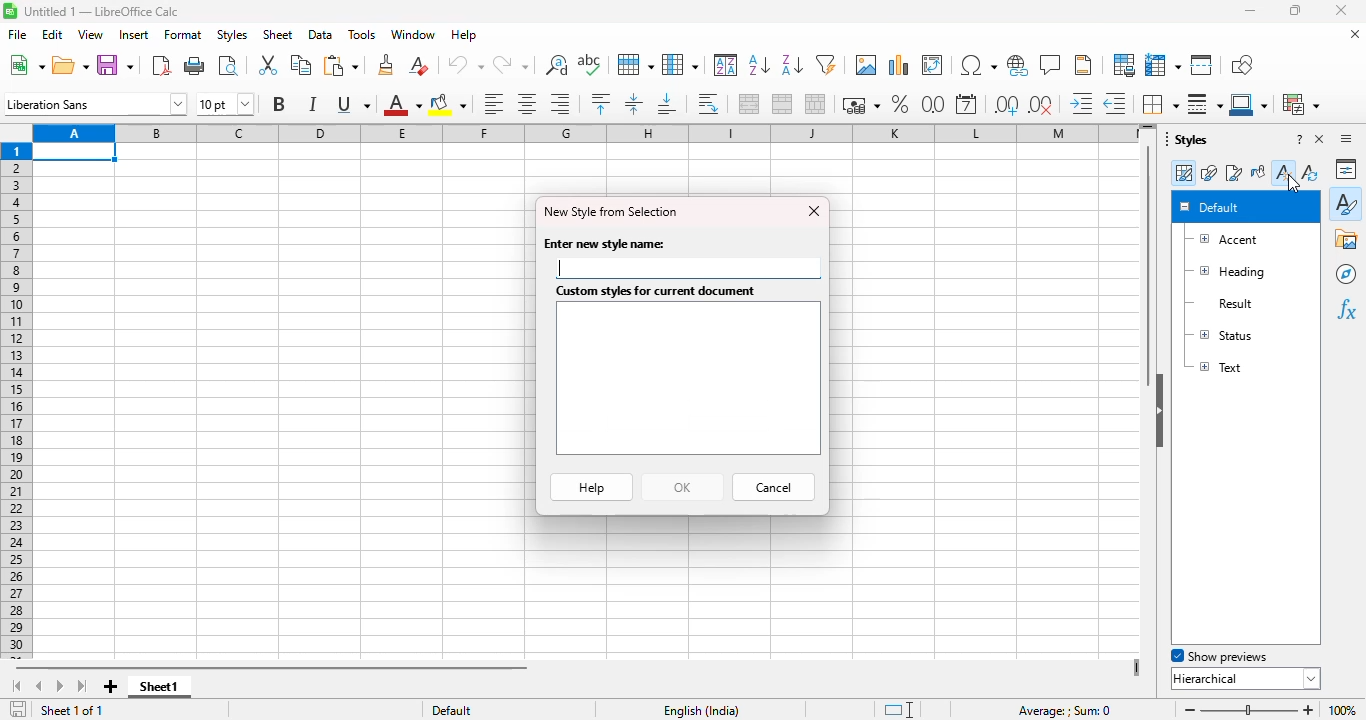 The width and height of the screenshot is (1366, 720). I want to click on define print area, so click(1124, 65).